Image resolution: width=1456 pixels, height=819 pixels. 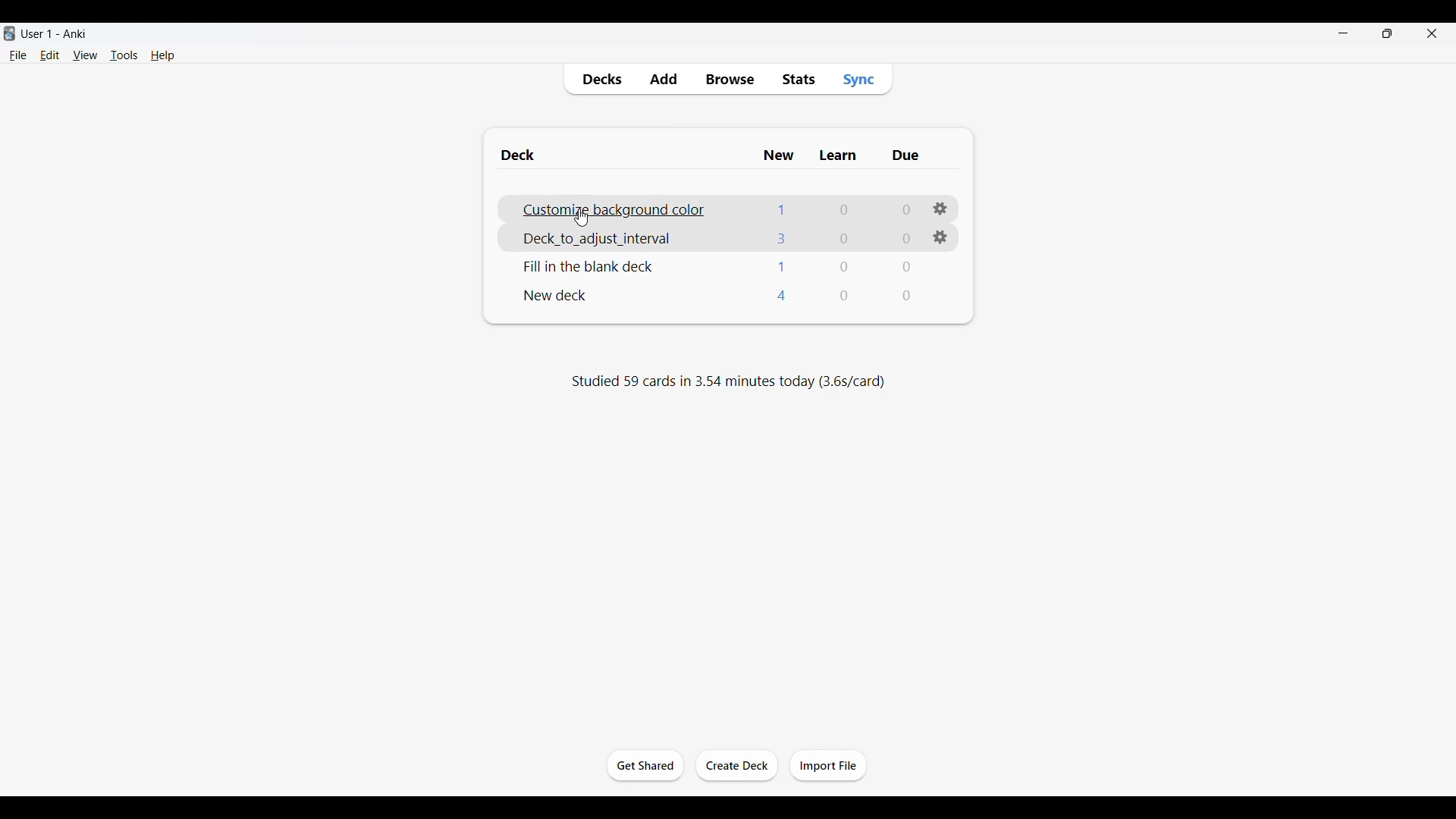 What do you see at coordinates (837, 155) in the screenshot?
I see `Learn column` at bounding box center [837, 155].